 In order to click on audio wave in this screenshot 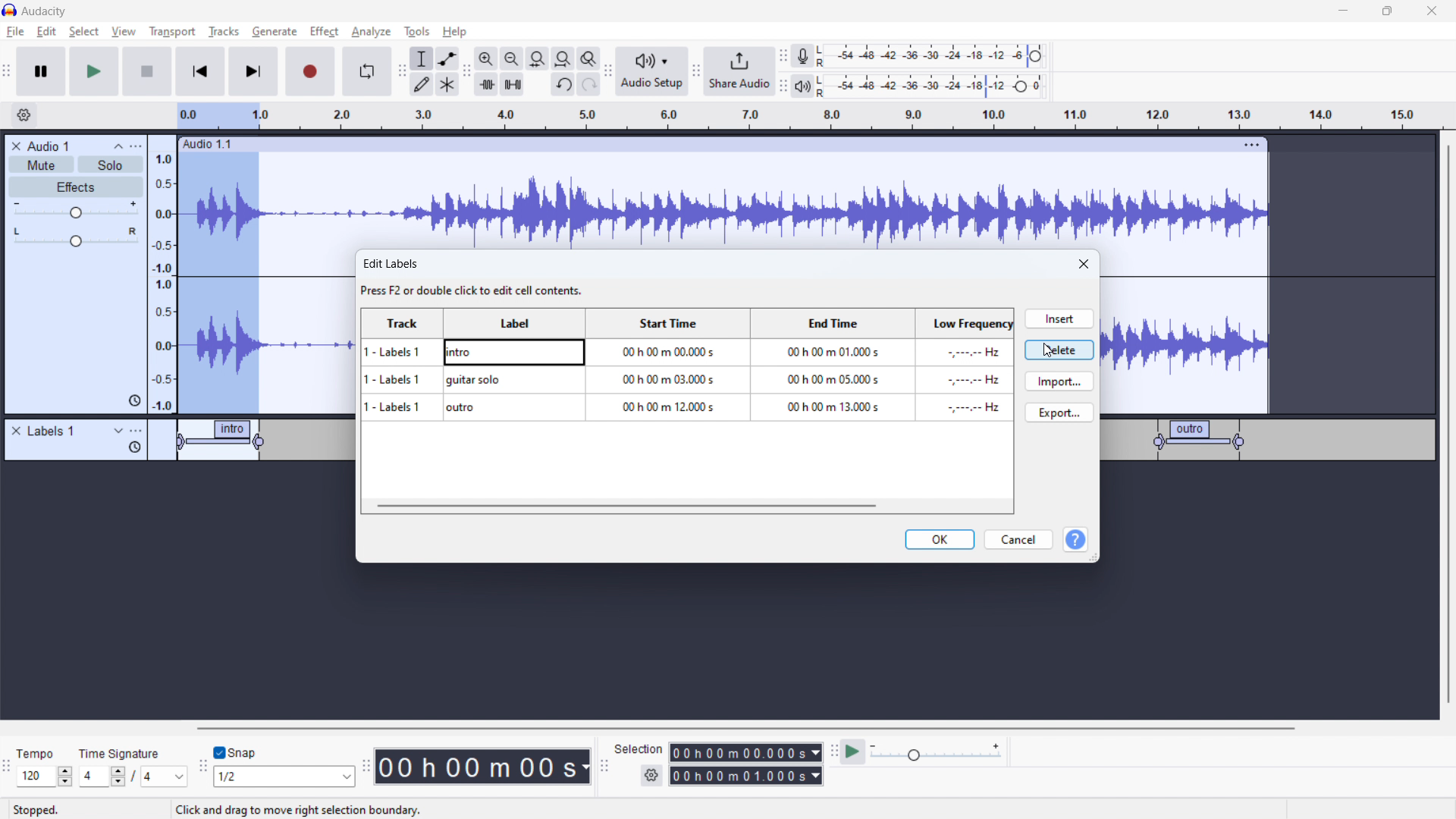, I will do `click(1185, 344)`.